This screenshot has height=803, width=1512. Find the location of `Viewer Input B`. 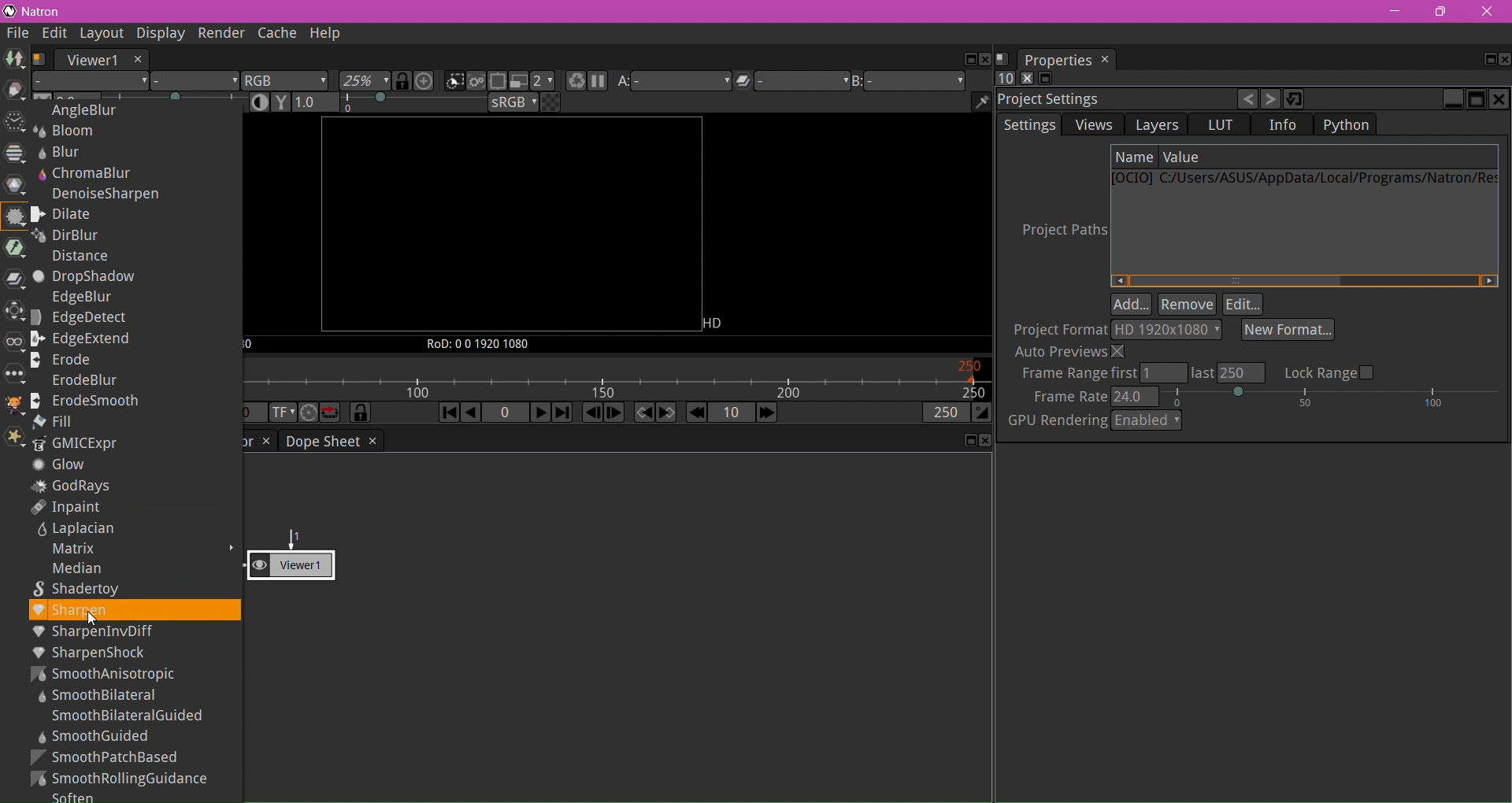

Viewer Input B is located at coordinates (908, 82).